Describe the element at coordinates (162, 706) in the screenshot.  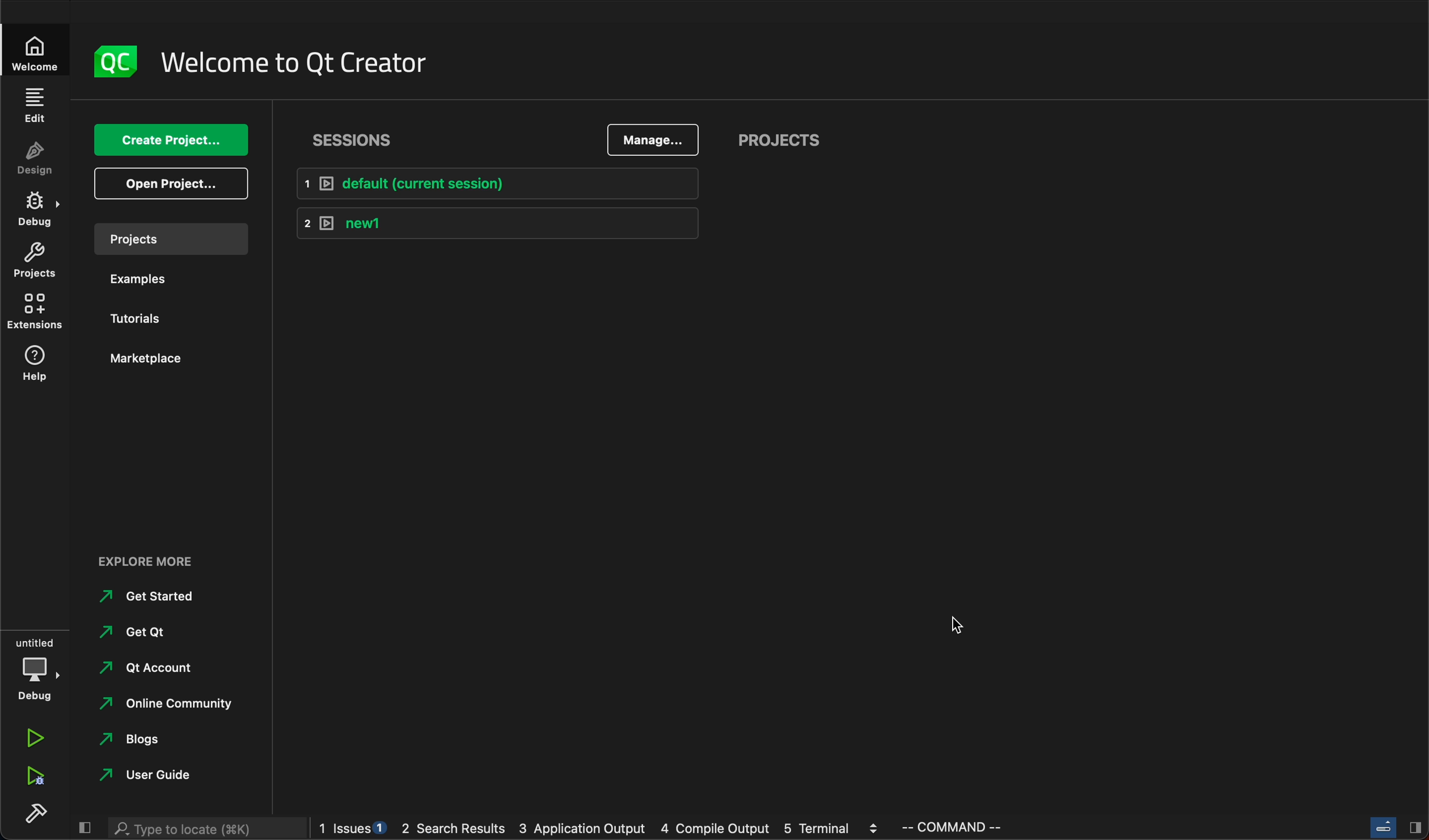
I see `community` at that location.